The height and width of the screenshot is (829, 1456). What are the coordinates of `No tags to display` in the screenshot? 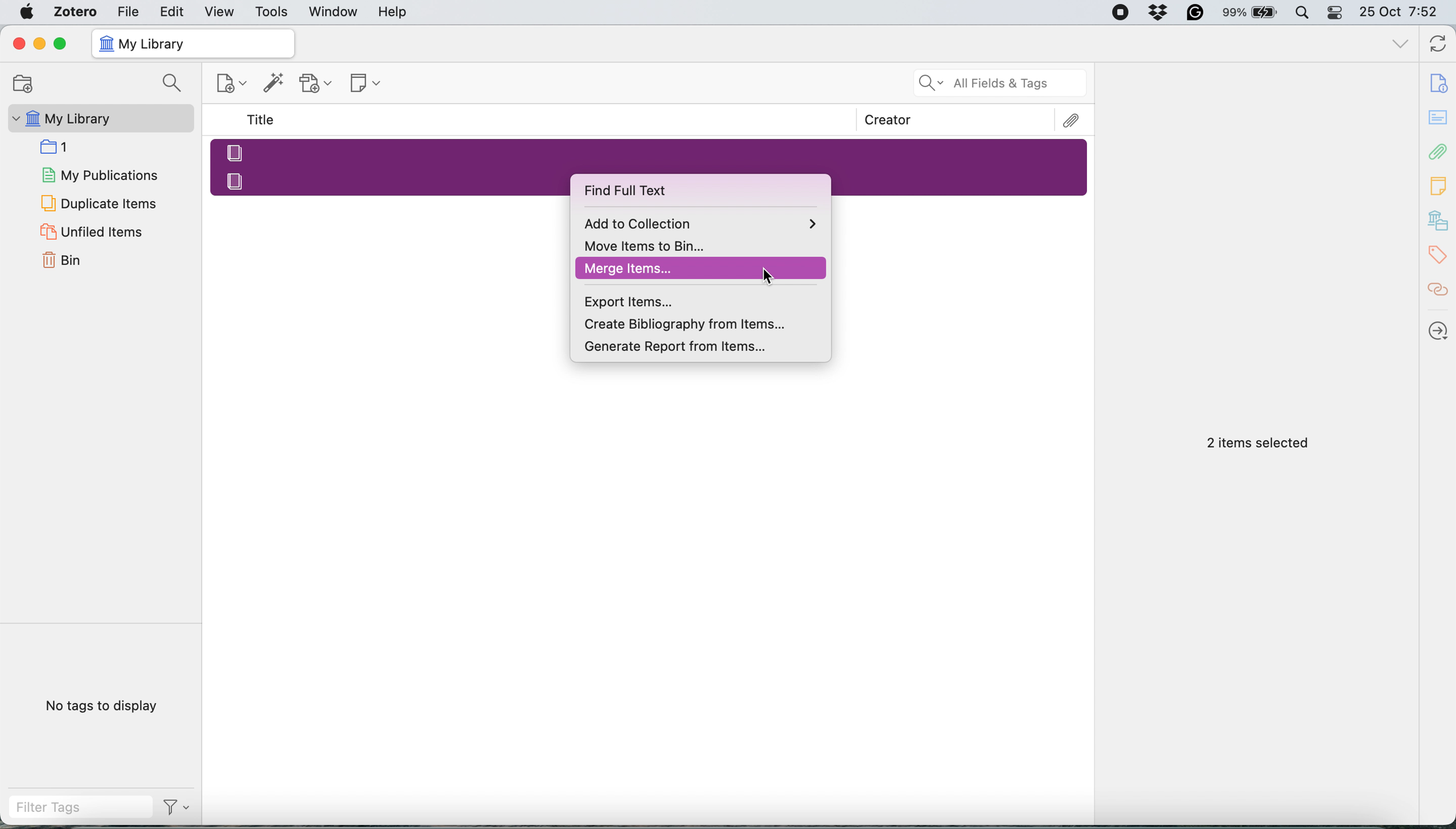 It's located at (105, 708).